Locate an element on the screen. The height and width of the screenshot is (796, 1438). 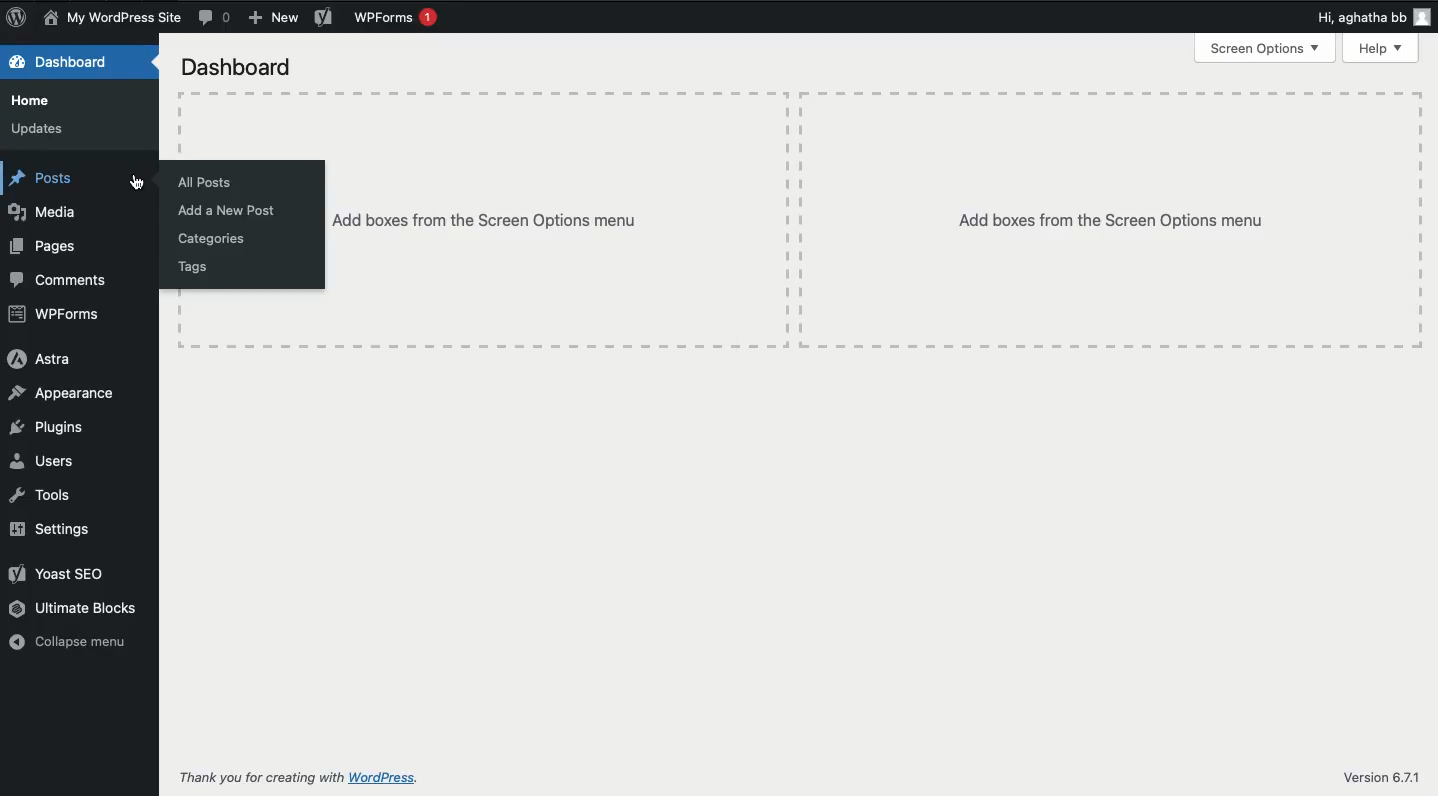
Collapse menu is located at coordinates (67, 641).